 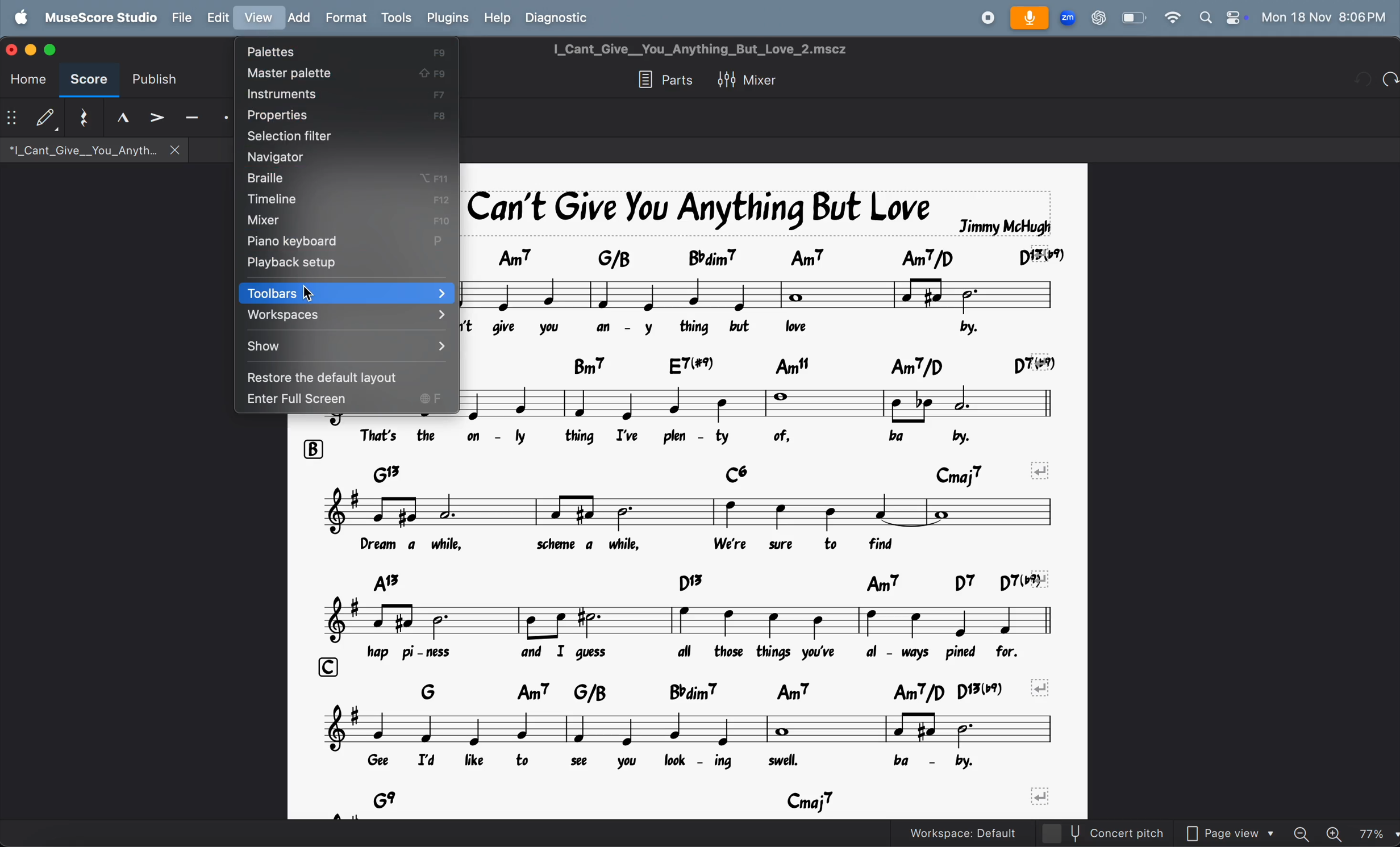 What do you see at coordinates (499, 19) in the screenshot?
I see `help` at bounding box center [499, 19].